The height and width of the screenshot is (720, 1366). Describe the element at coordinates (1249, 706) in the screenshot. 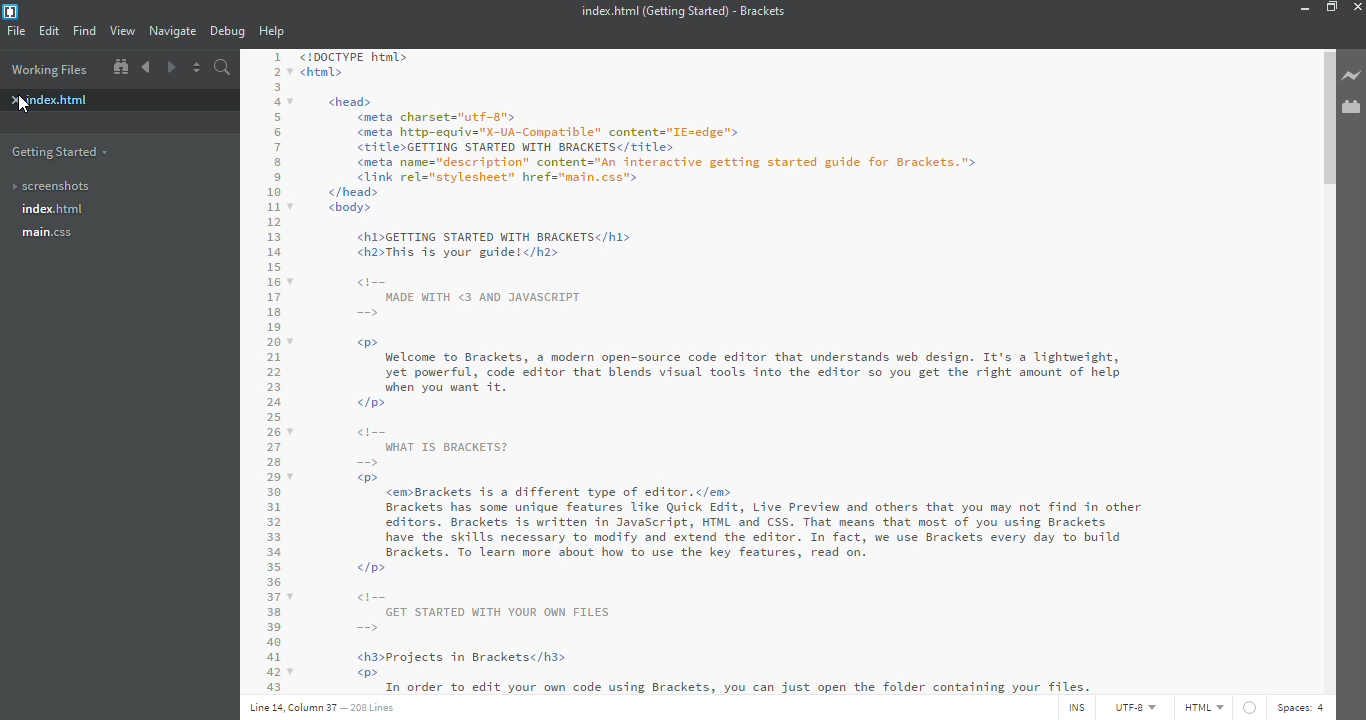

I see `linter` at that location.